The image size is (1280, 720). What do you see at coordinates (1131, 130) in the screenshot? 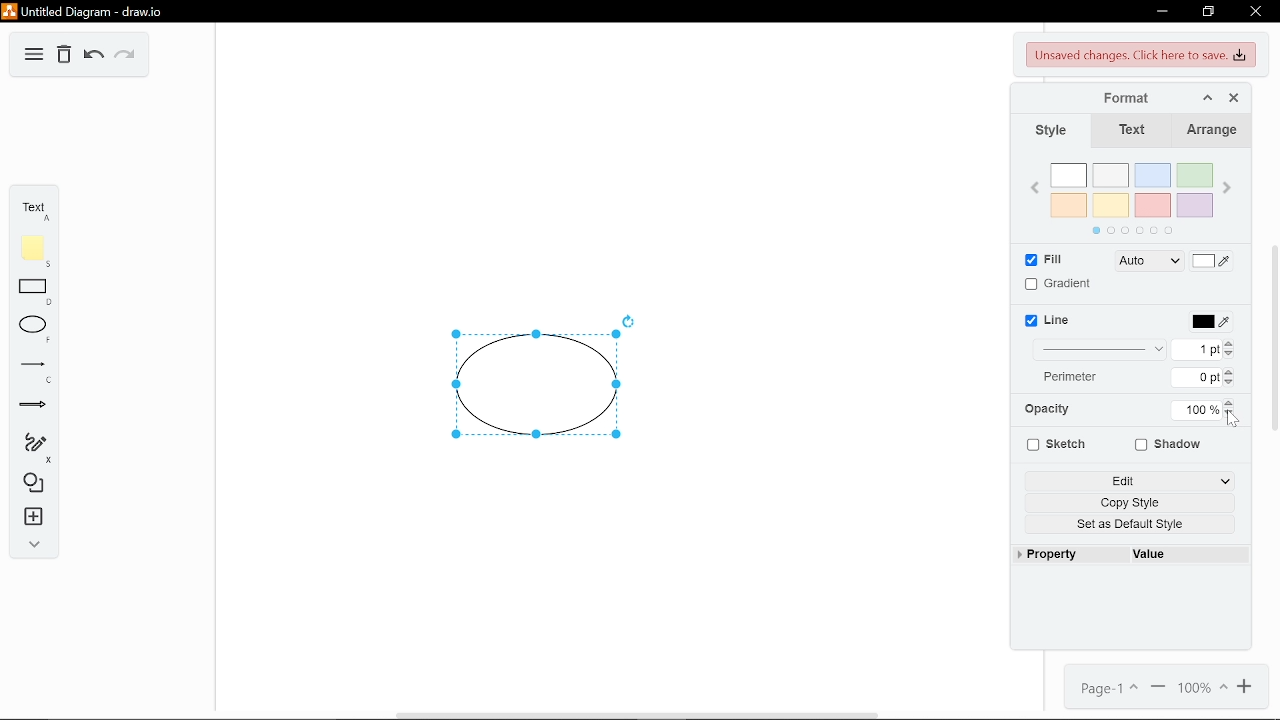
I see `Text` at bounding box center [1131, 130].